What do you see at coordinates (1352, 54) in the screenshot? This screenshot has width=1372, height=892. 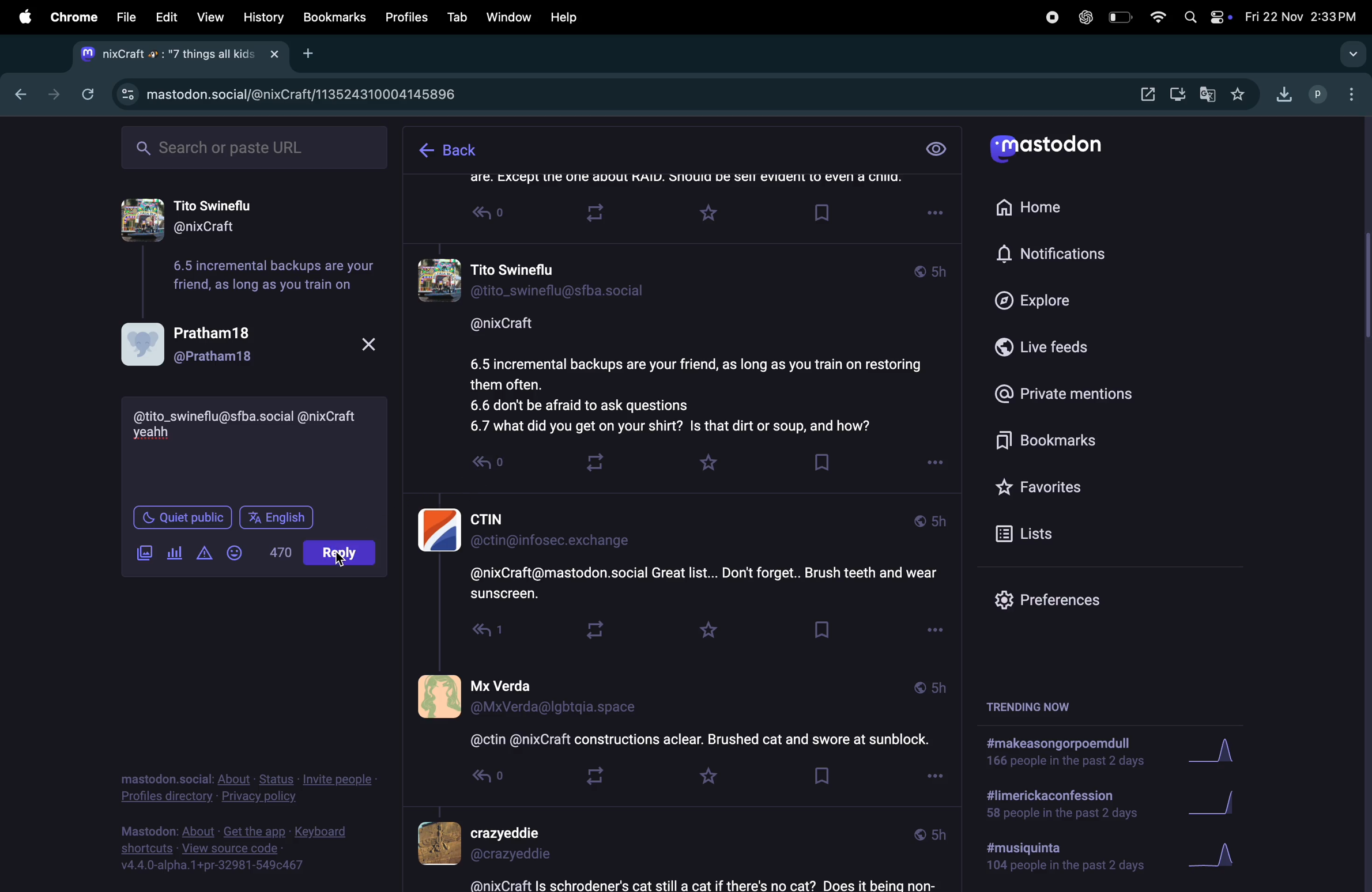 I see `search bar` at bounding box center [1352, 54].